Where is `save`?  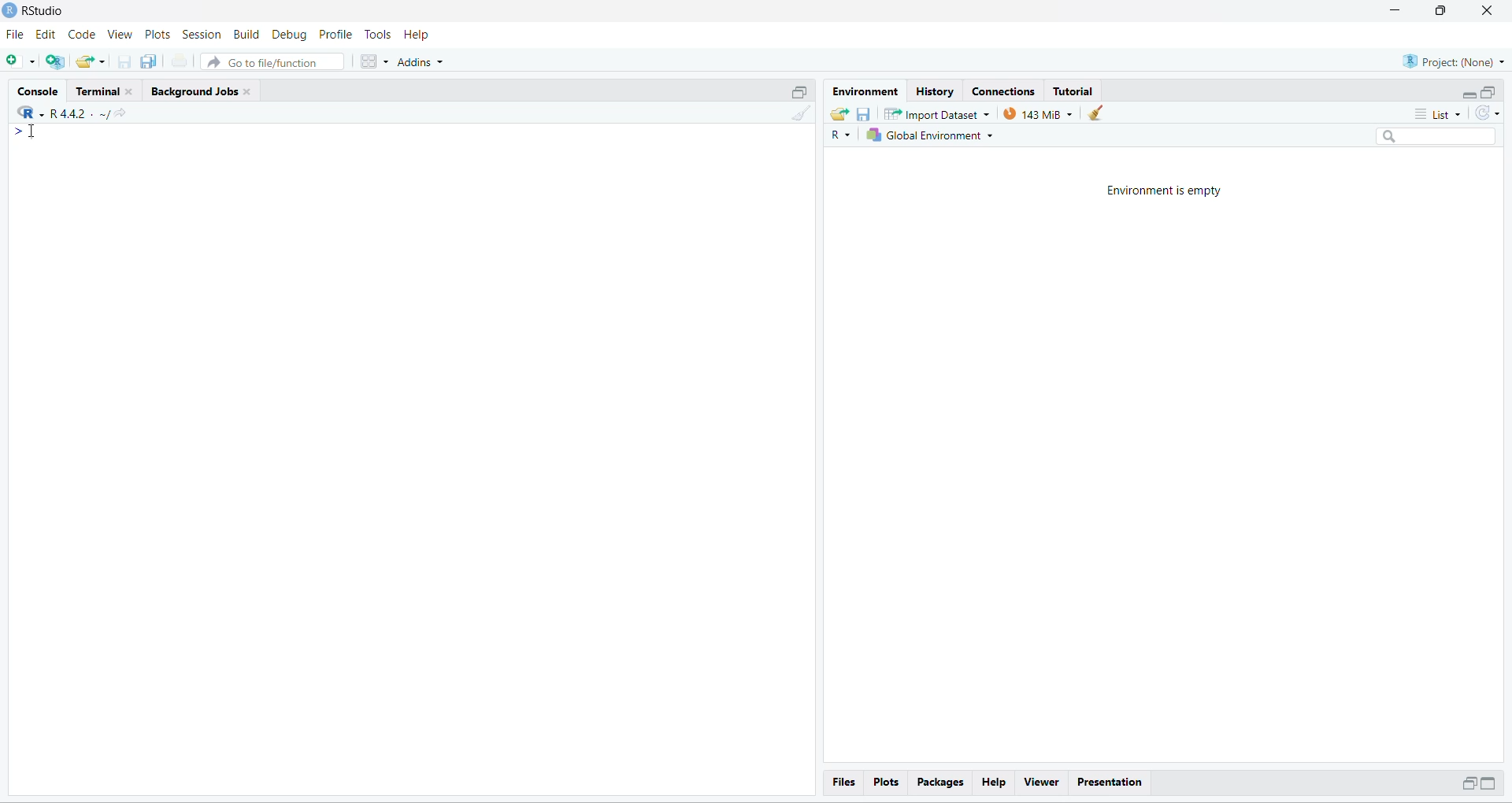
save is located at coordinates (864, 115).